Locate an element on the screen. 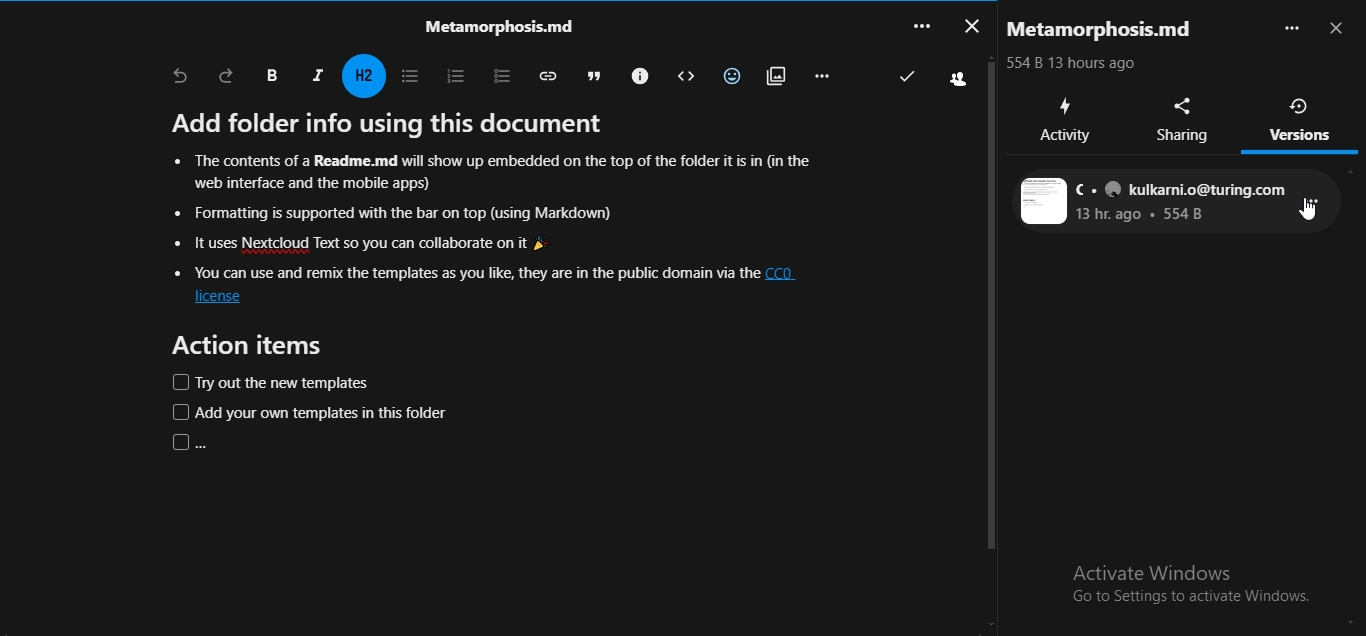 The width and height of the screenshot is (1366, 636). 554 B 13 hours ago is located at coordinates (1078, 64).